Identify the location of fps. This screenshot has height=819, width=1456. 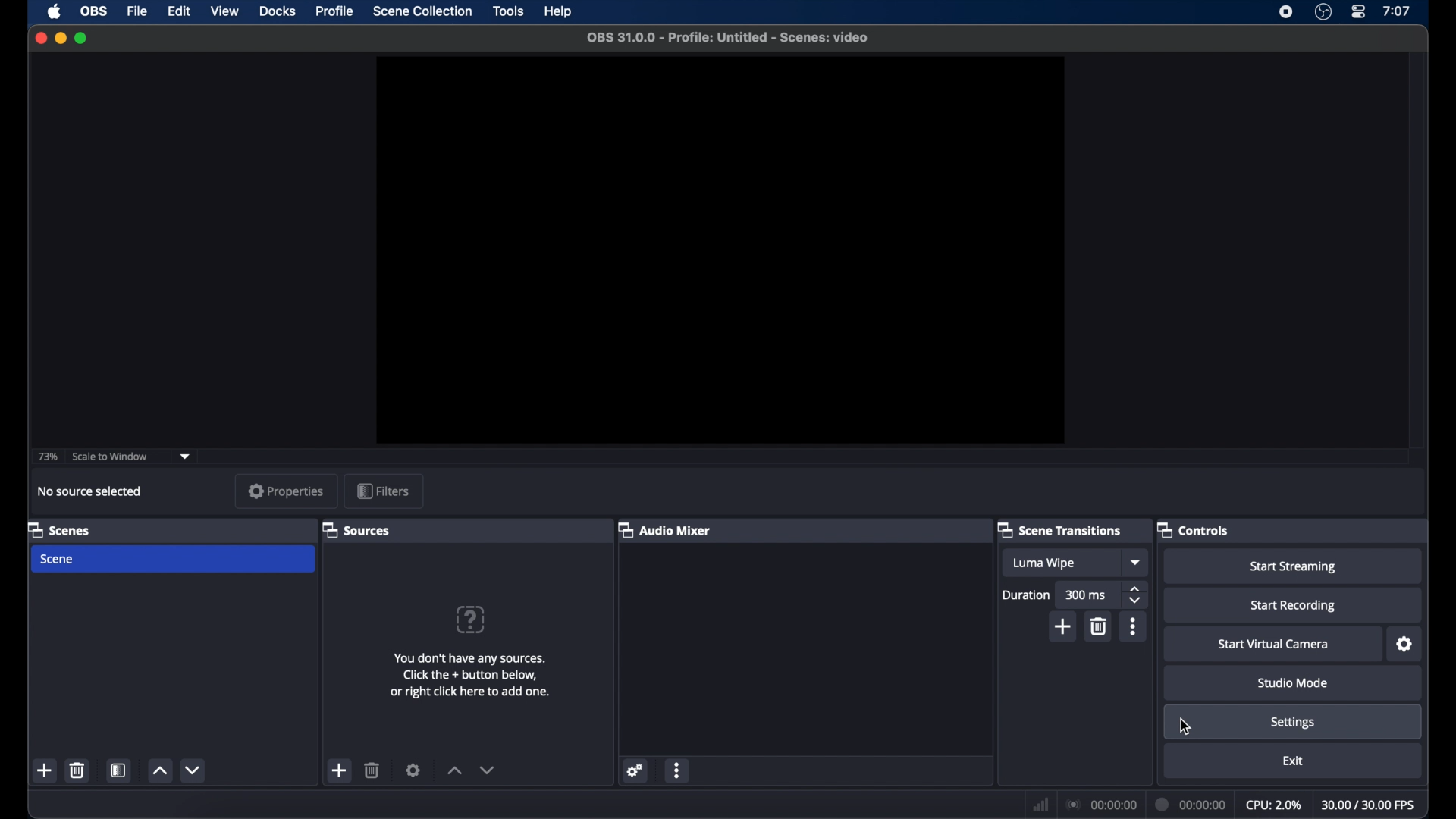
(1369, 805).